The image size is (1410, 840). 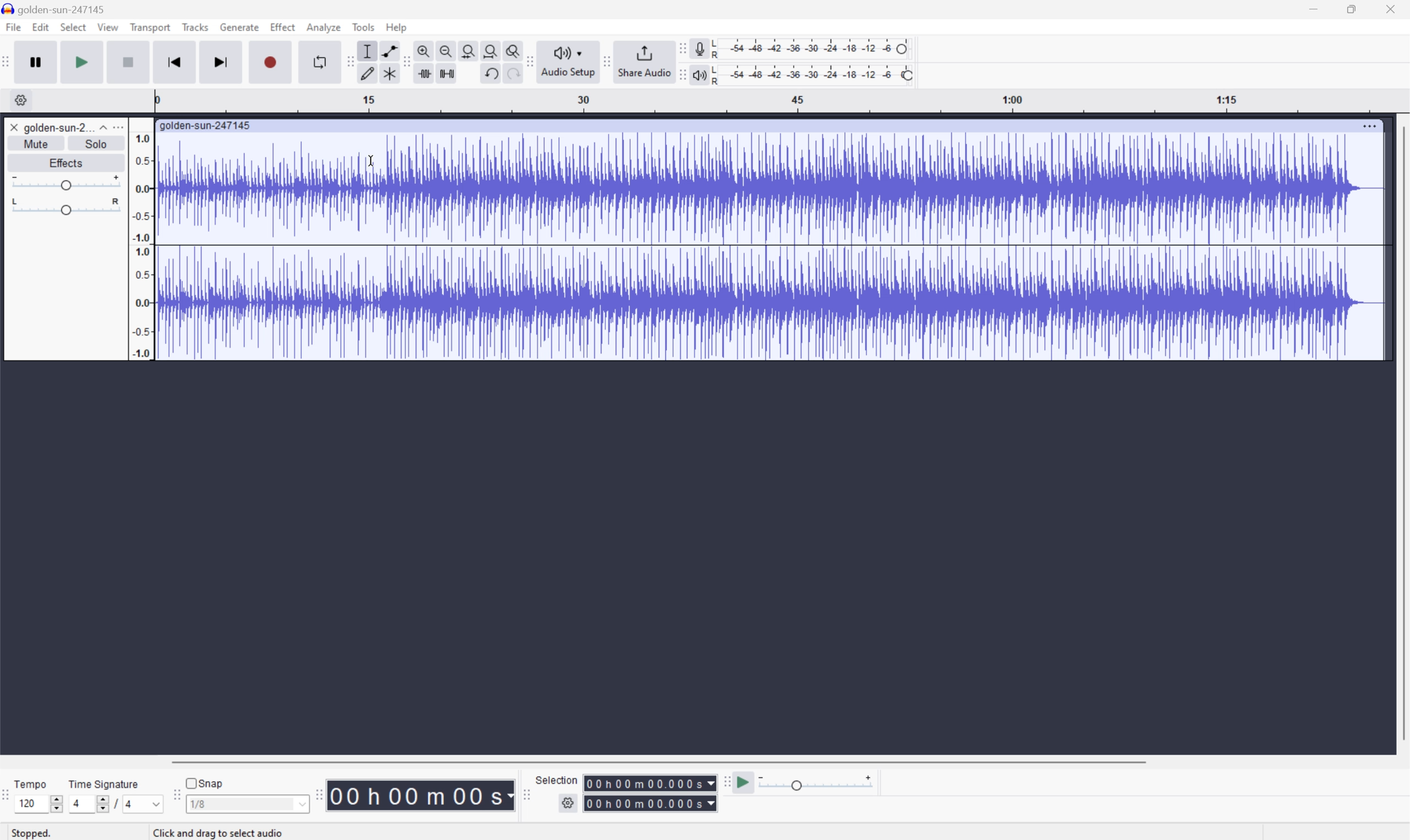 What do you see at coordinates (65, 208) in the screenshot?
I see `Slider` at bounding box center [65, 208].